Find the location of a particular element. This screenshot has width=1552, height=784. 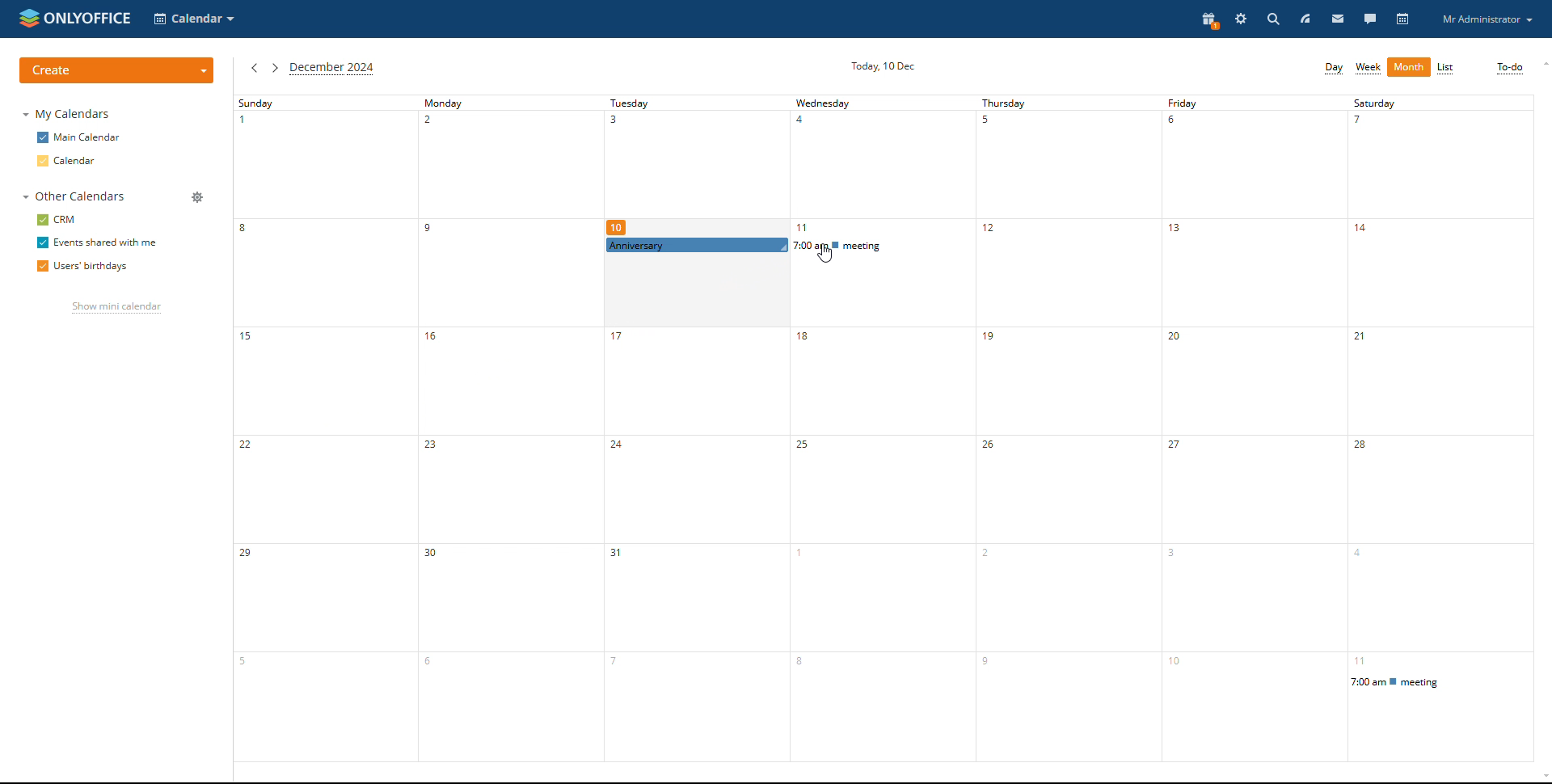

talk is located at coordinates (1369, 19).